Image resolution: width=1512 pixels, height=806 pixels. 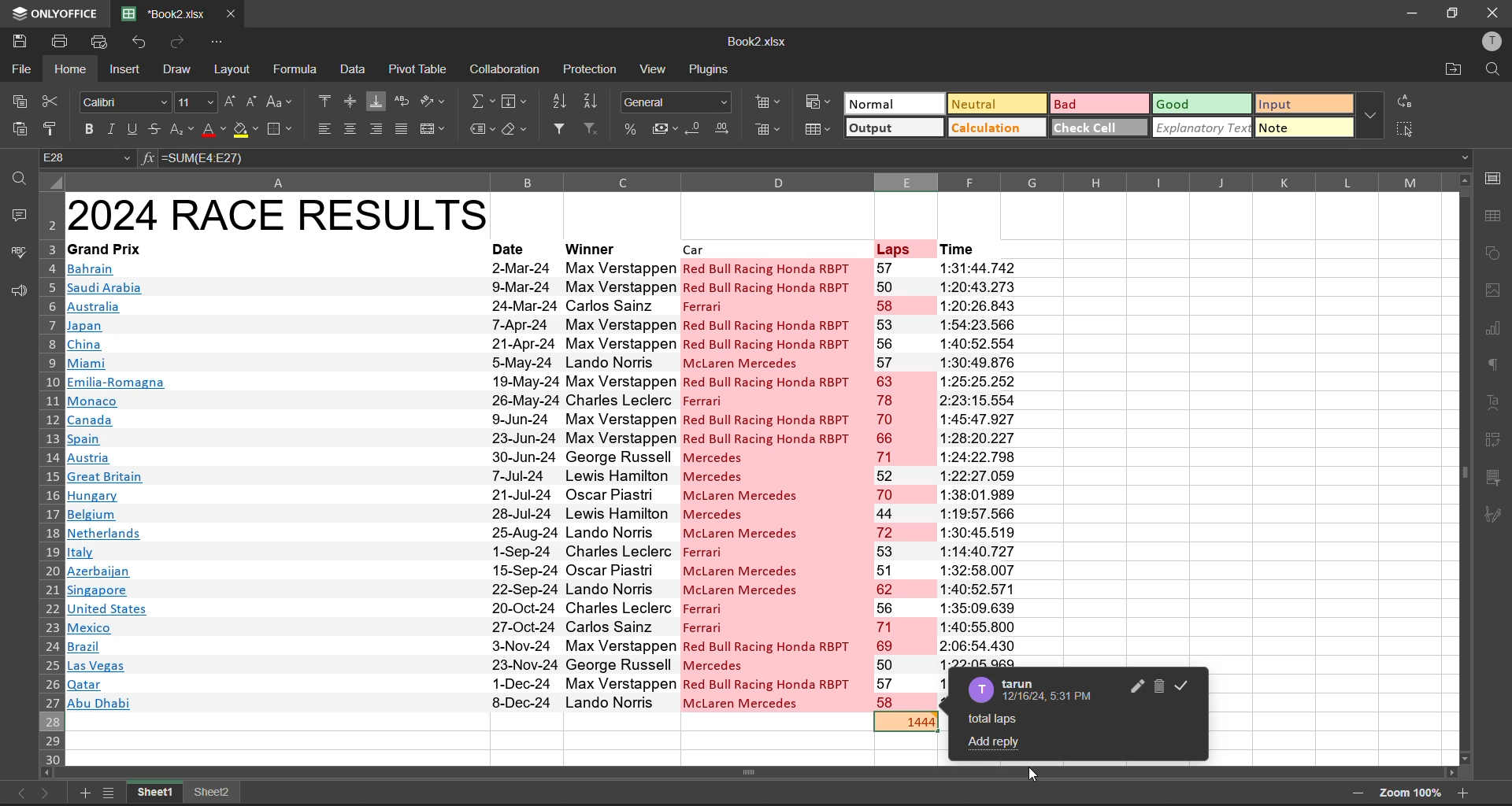 I want to click on decrement size, so click(x=249, y=102).